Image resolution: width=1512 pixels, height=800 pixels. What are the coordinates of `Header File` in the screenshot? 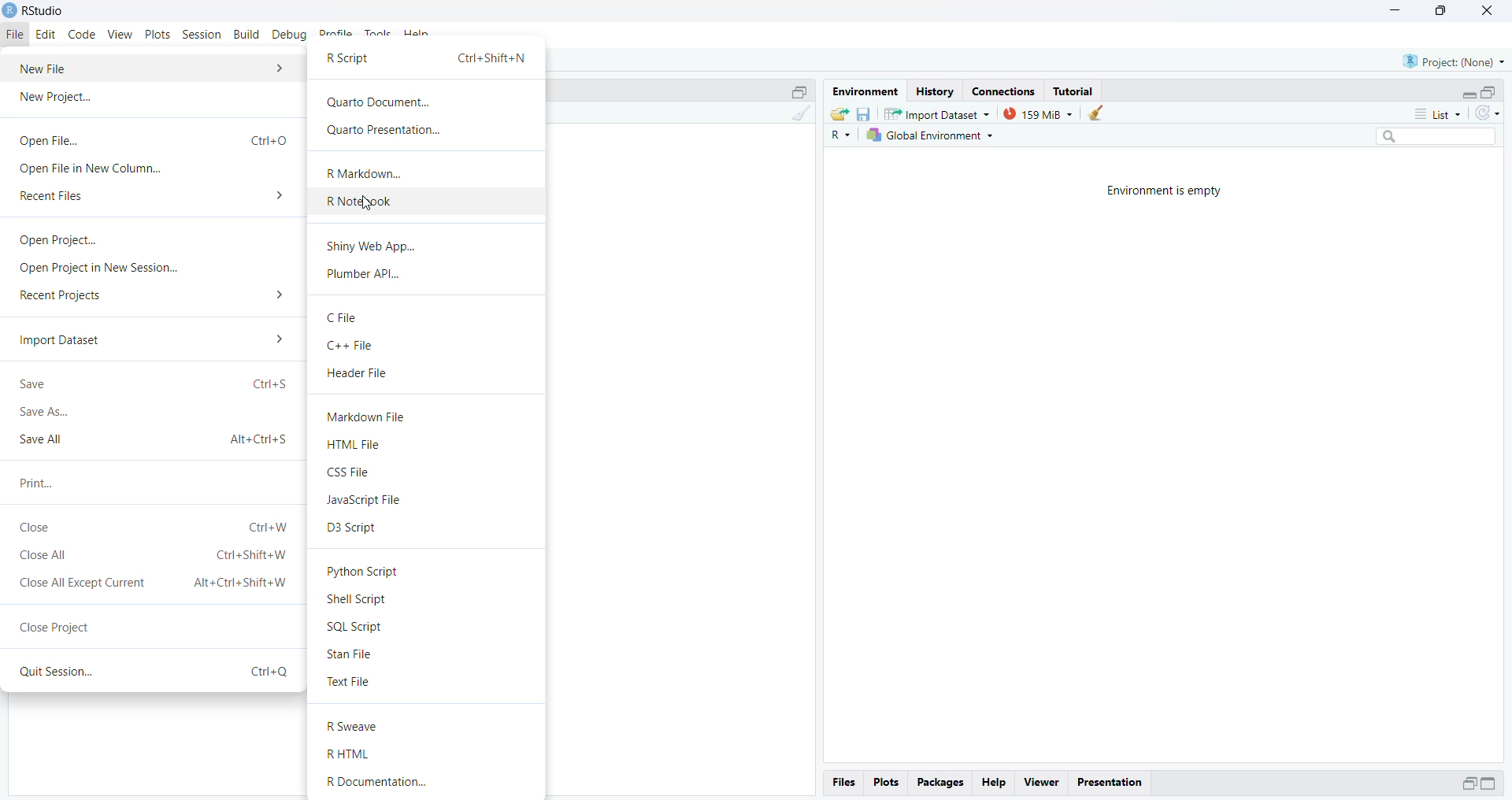 It's located at (358, 374).